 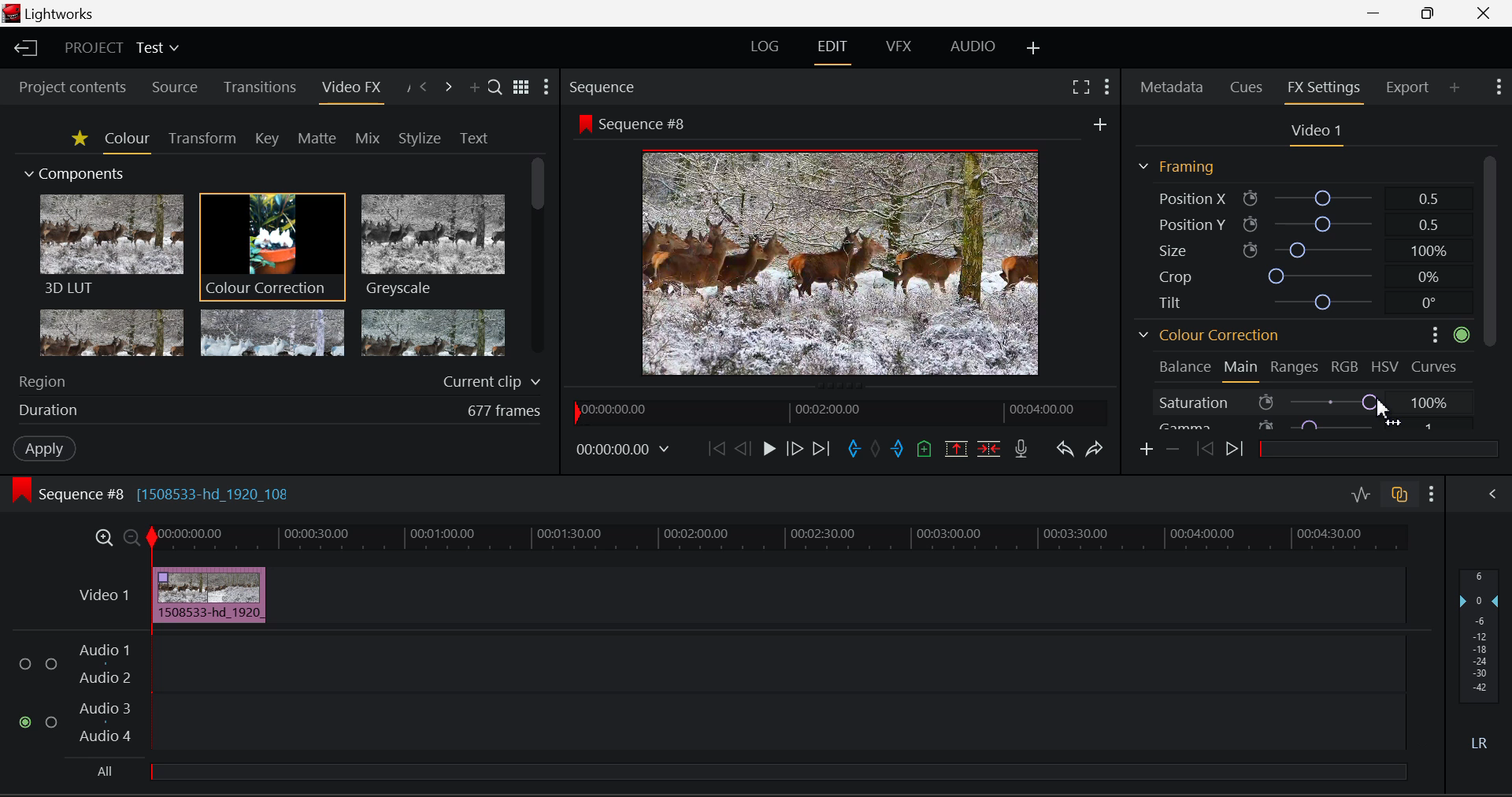 What do you see at coordinates (539, 262) in the screenshot?
I see `Scroll Bar` at bounding box center [539, 262].